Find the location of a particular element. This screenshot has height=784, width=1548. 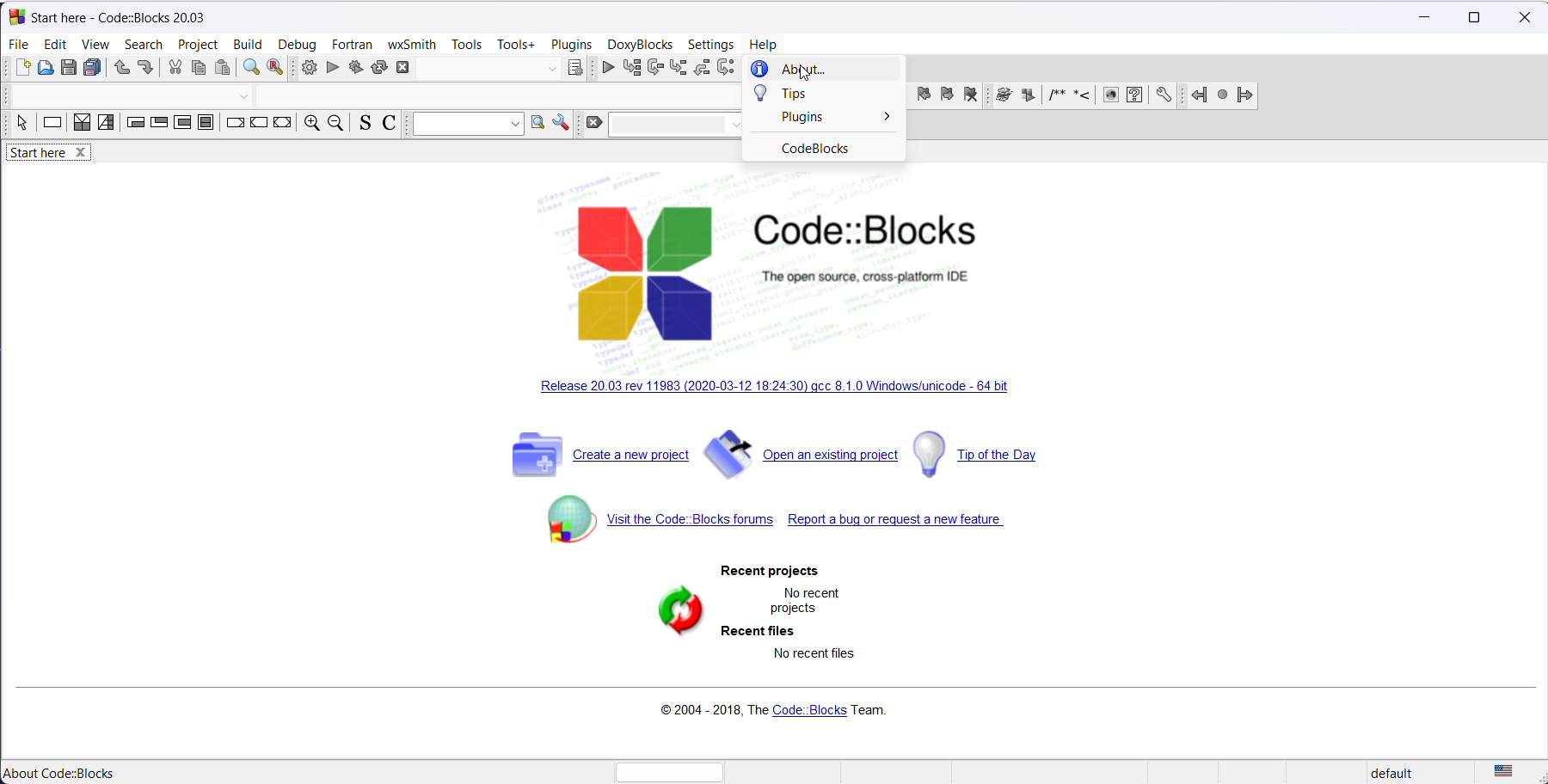

code block forums is located at coordinates (664, 530).